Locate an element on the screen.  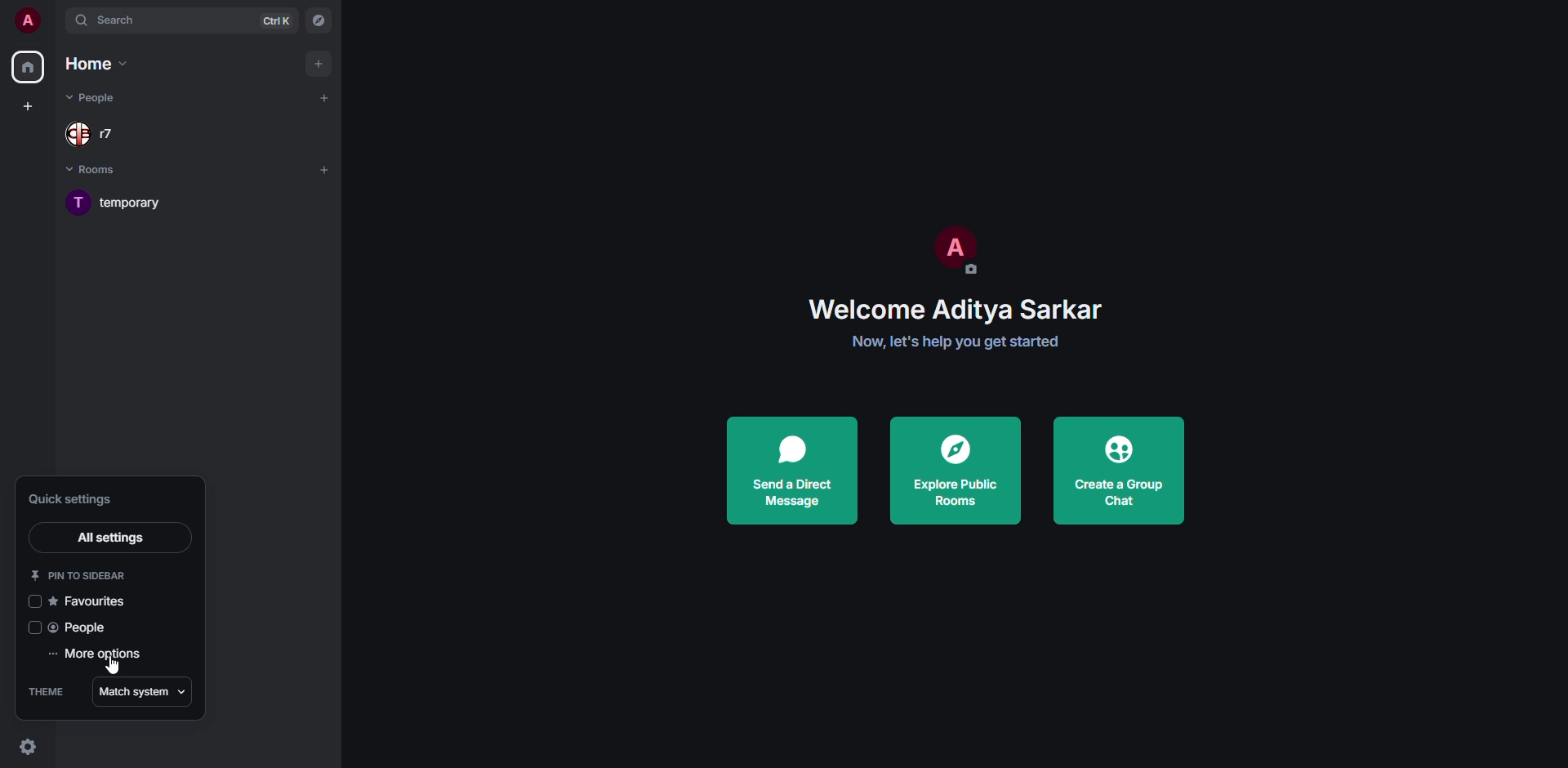
add is located at coordinates (321, 63).